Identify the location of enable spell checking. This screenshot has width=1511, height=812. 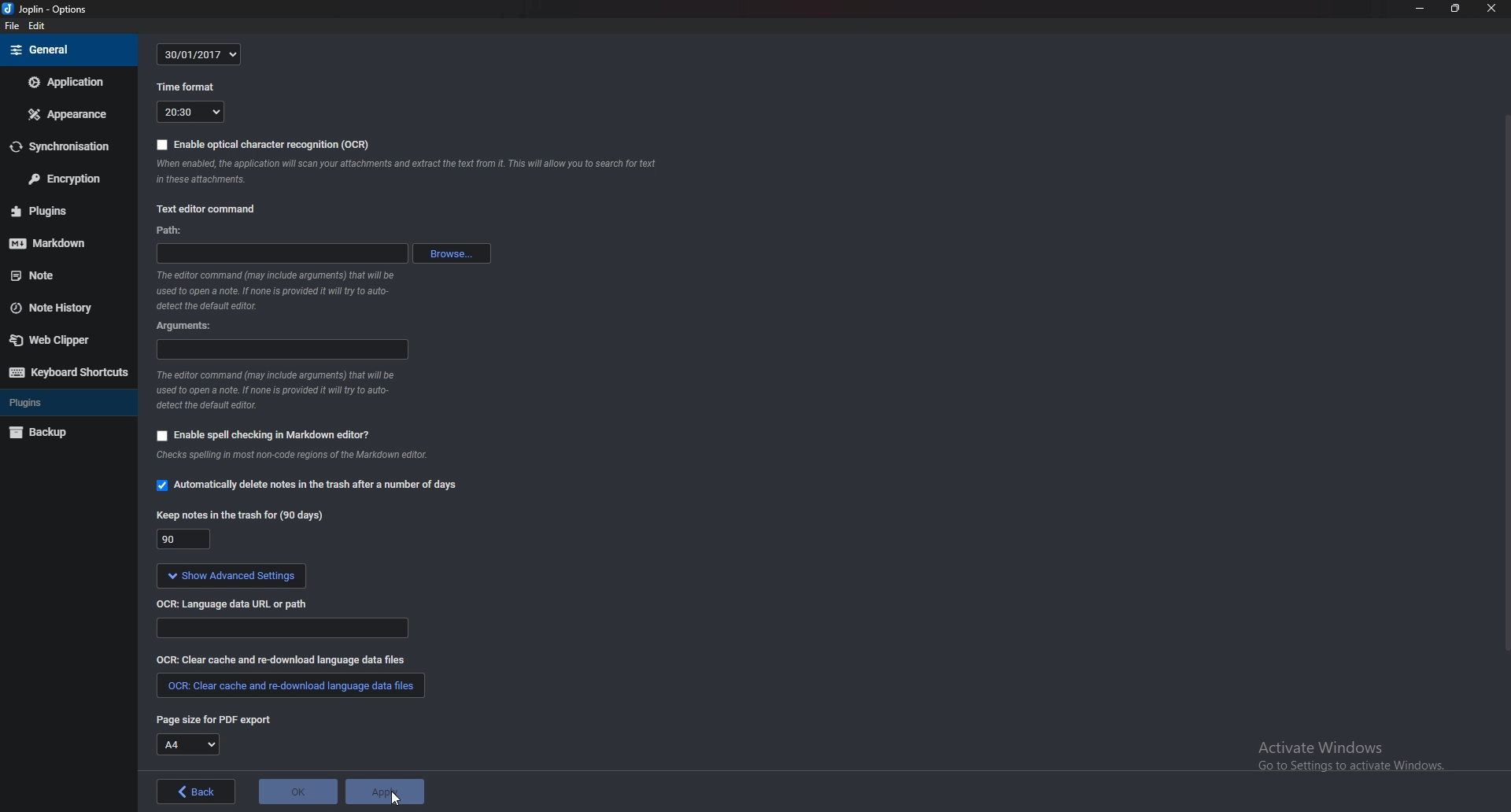
(282, 433).